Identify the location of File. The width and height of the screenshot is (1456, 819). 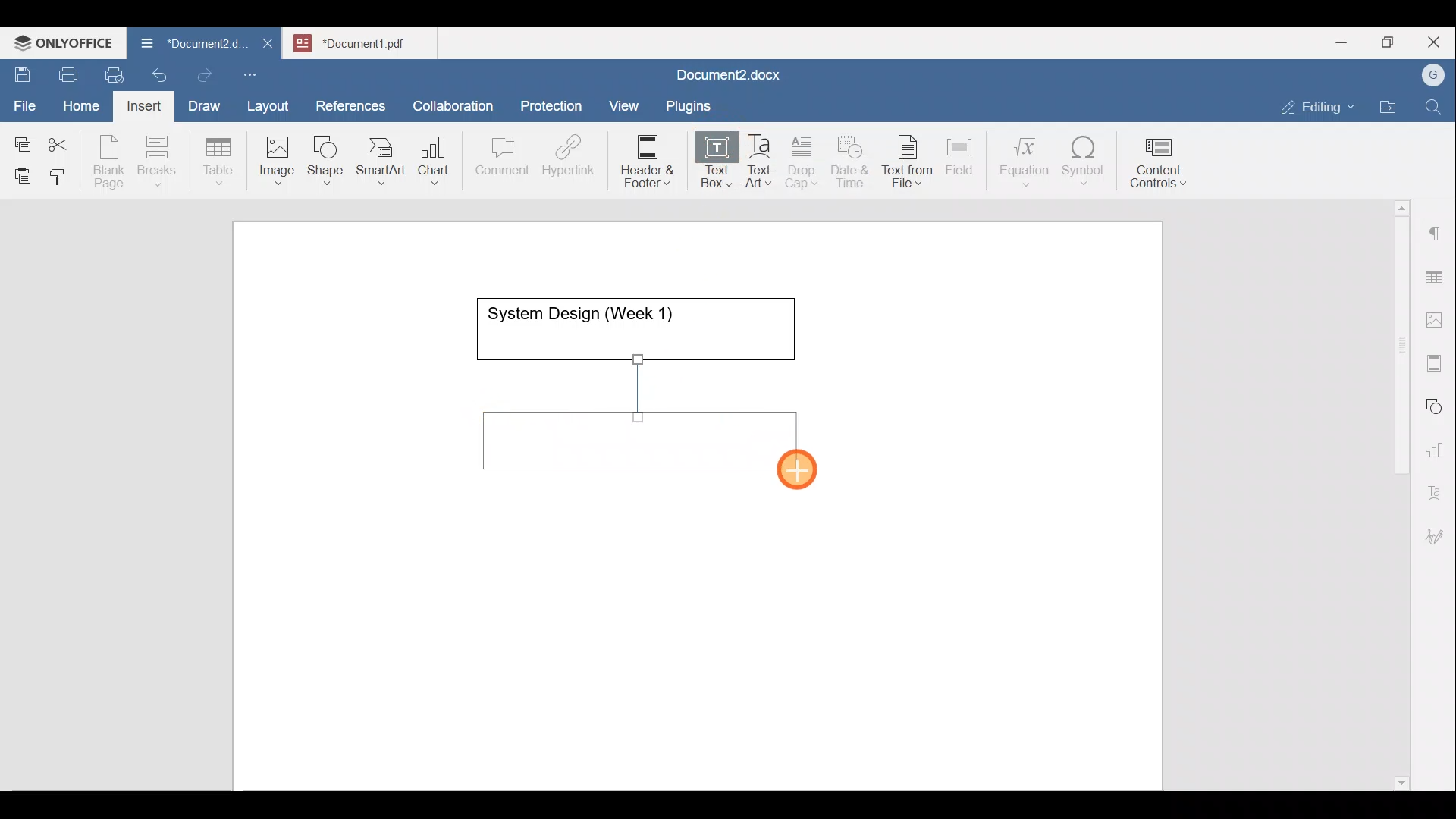
(26, 101).